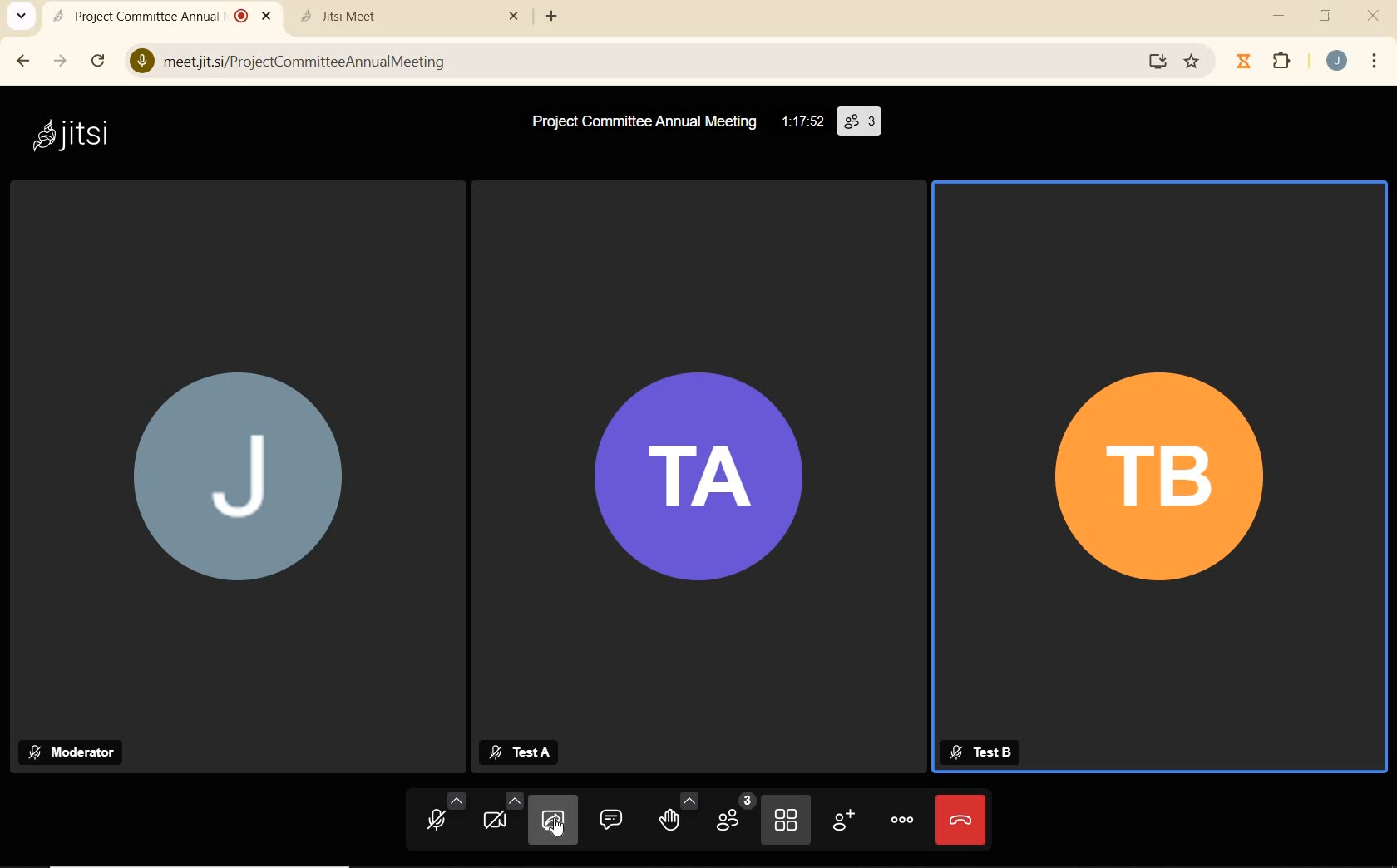  Describe the element at coordinates (846, 823) in the screenshot. I see `INVITE PEOPLE` at that location.